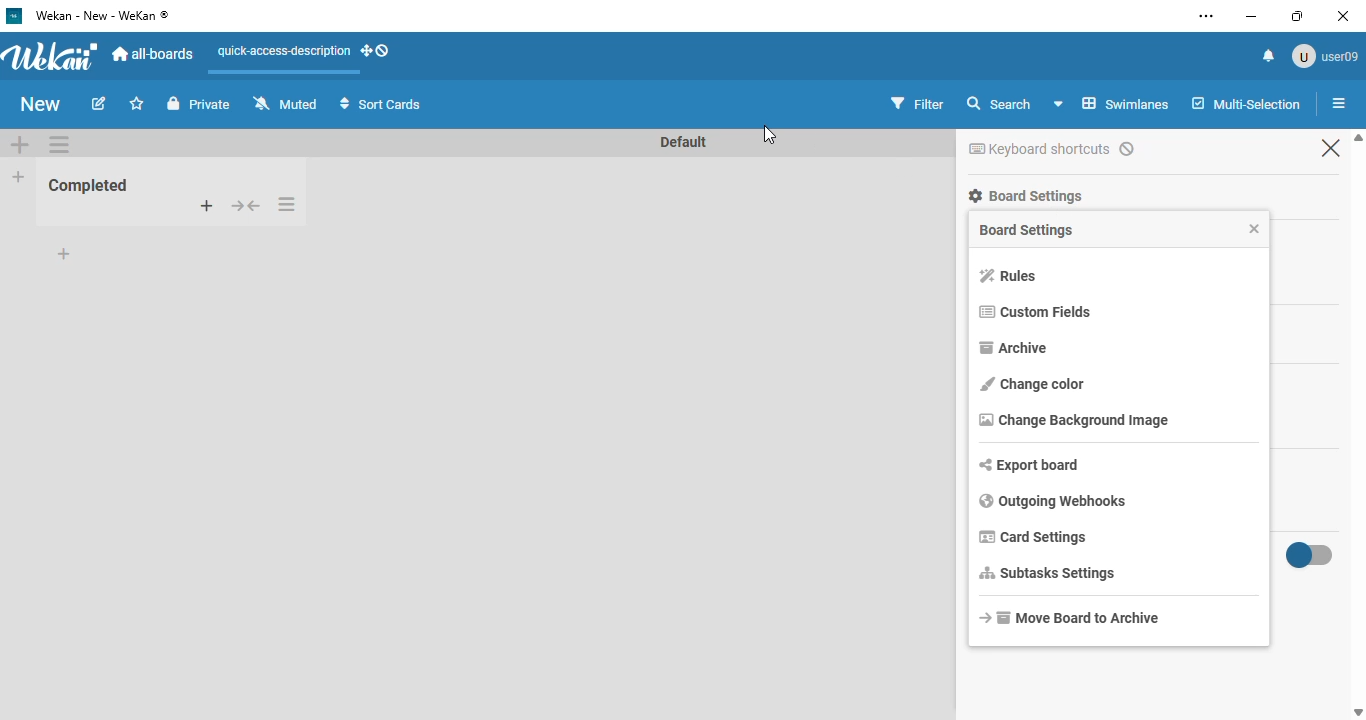 This screenshot has height=720, width=1366. What do you see at coordinates (137, 103) in the screenshot?
I see `Add to favorite` at bounding box center [137, 103].